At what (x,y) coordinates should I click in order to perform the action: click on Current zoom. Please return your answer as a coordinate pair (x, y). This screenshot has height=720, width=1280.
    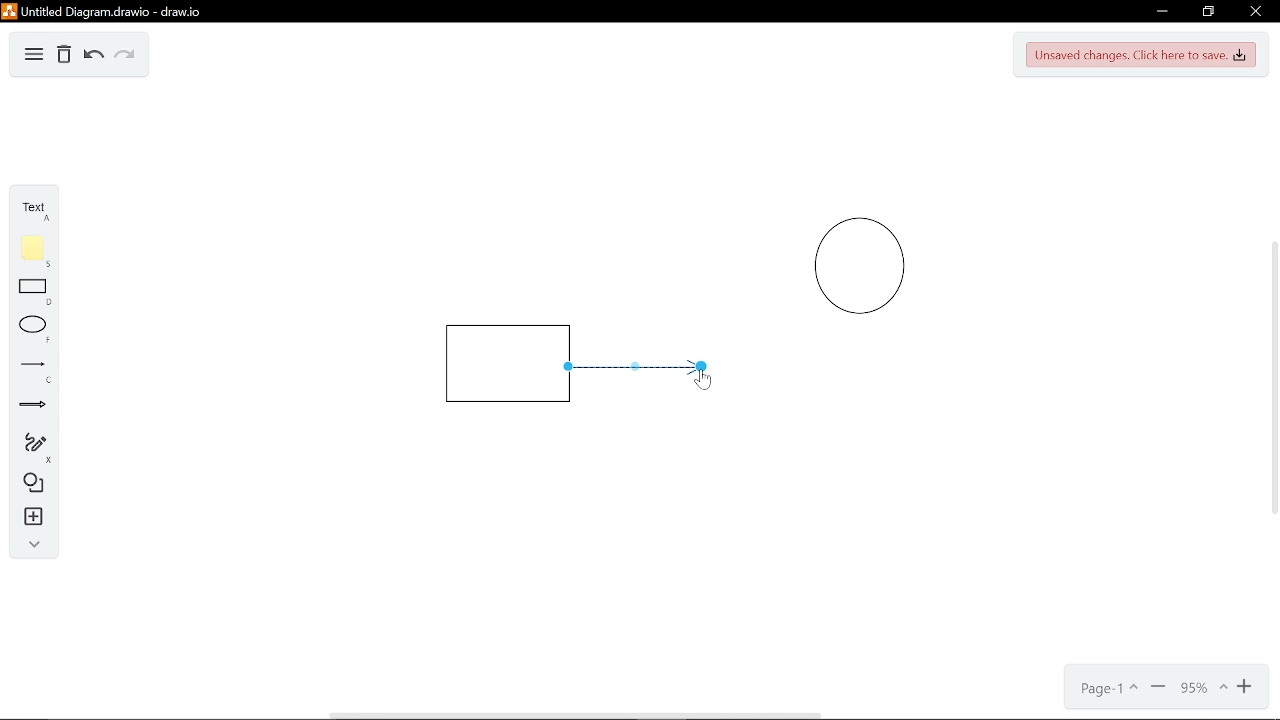
    Looking at the image, I should click on (1202, 688).